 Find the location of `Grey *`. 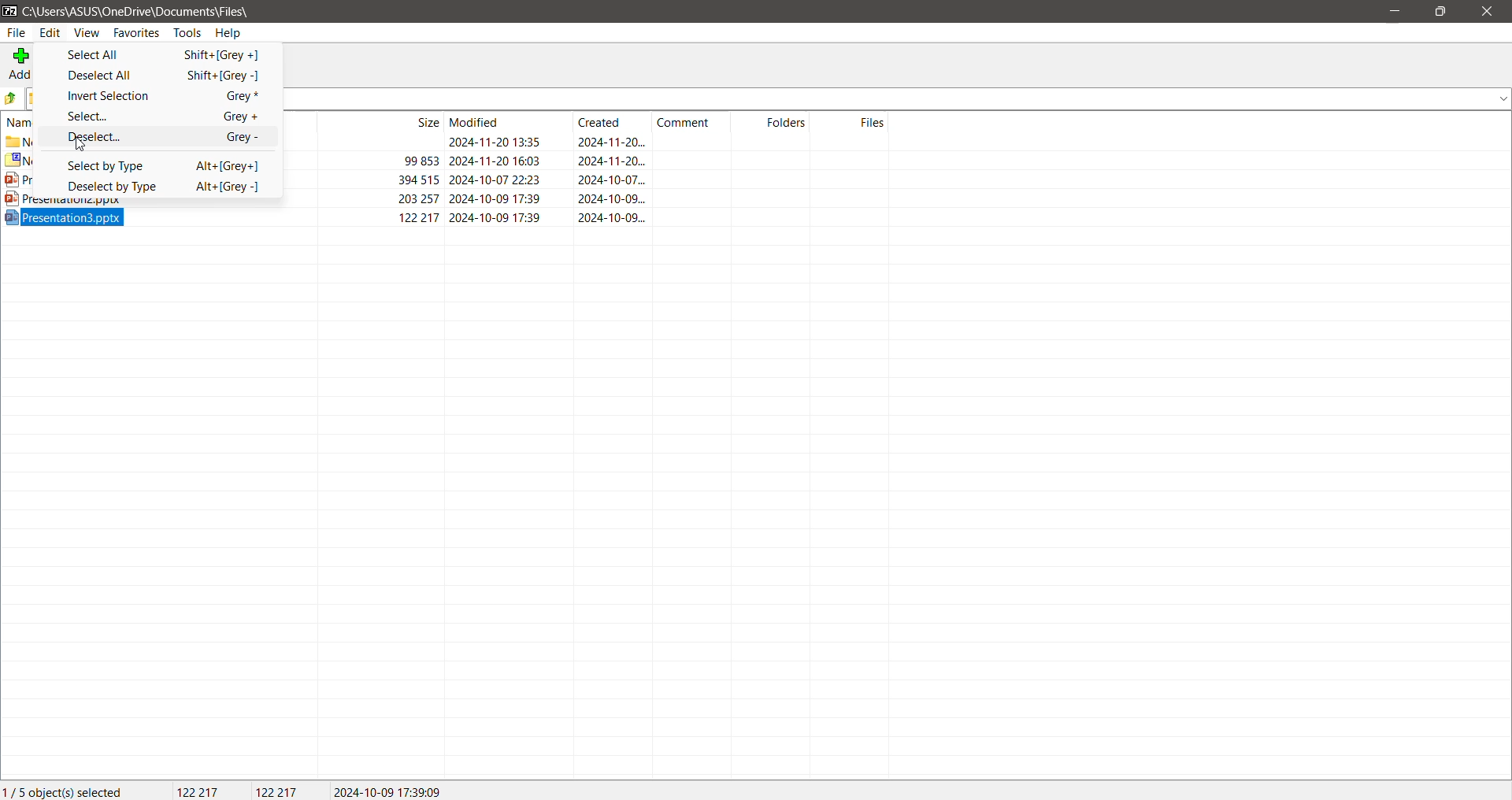

Grey * is located at coordinates (235, 94).